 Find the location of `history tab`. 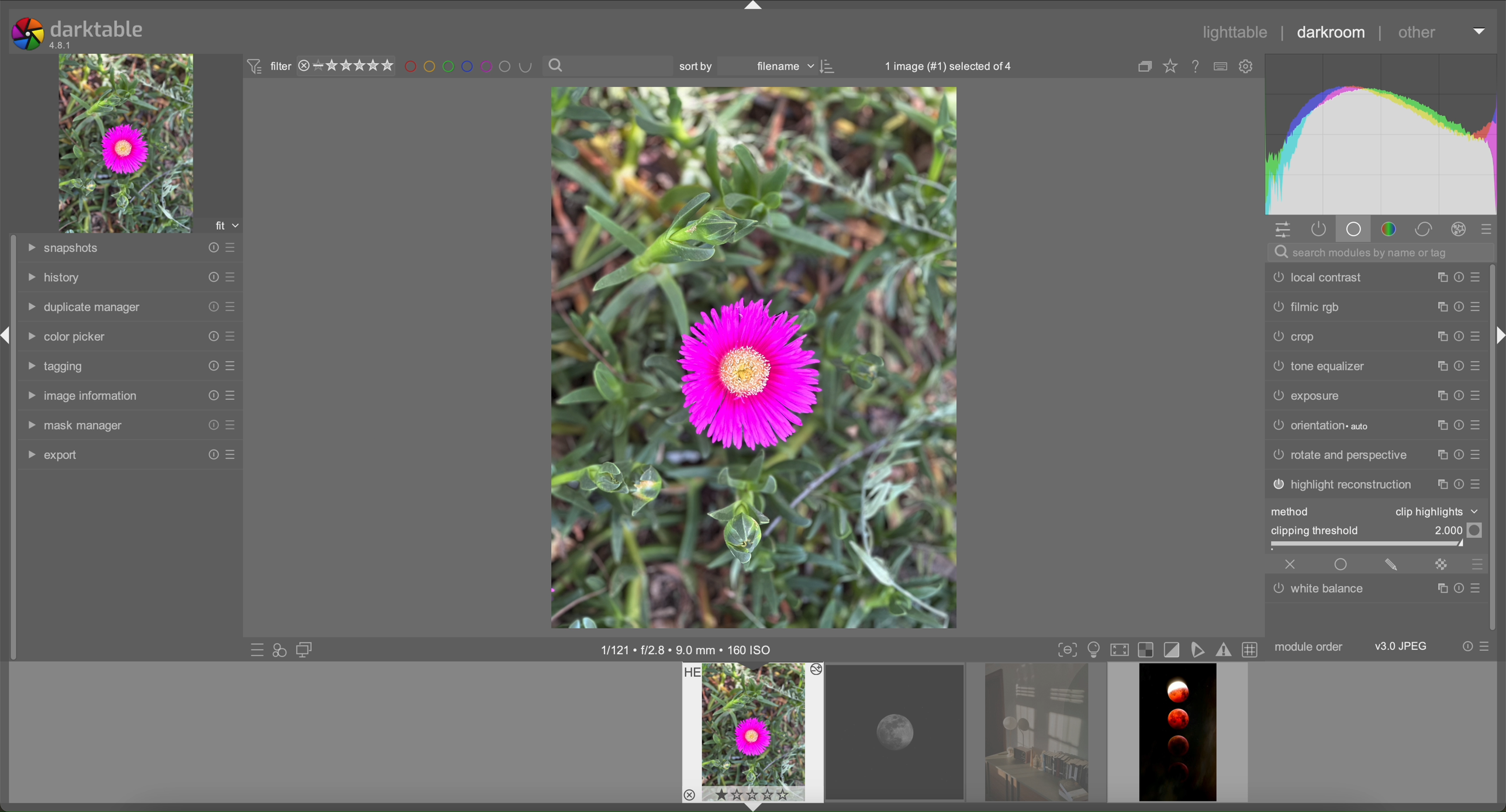

history tab is located at coordinates (54, 278).